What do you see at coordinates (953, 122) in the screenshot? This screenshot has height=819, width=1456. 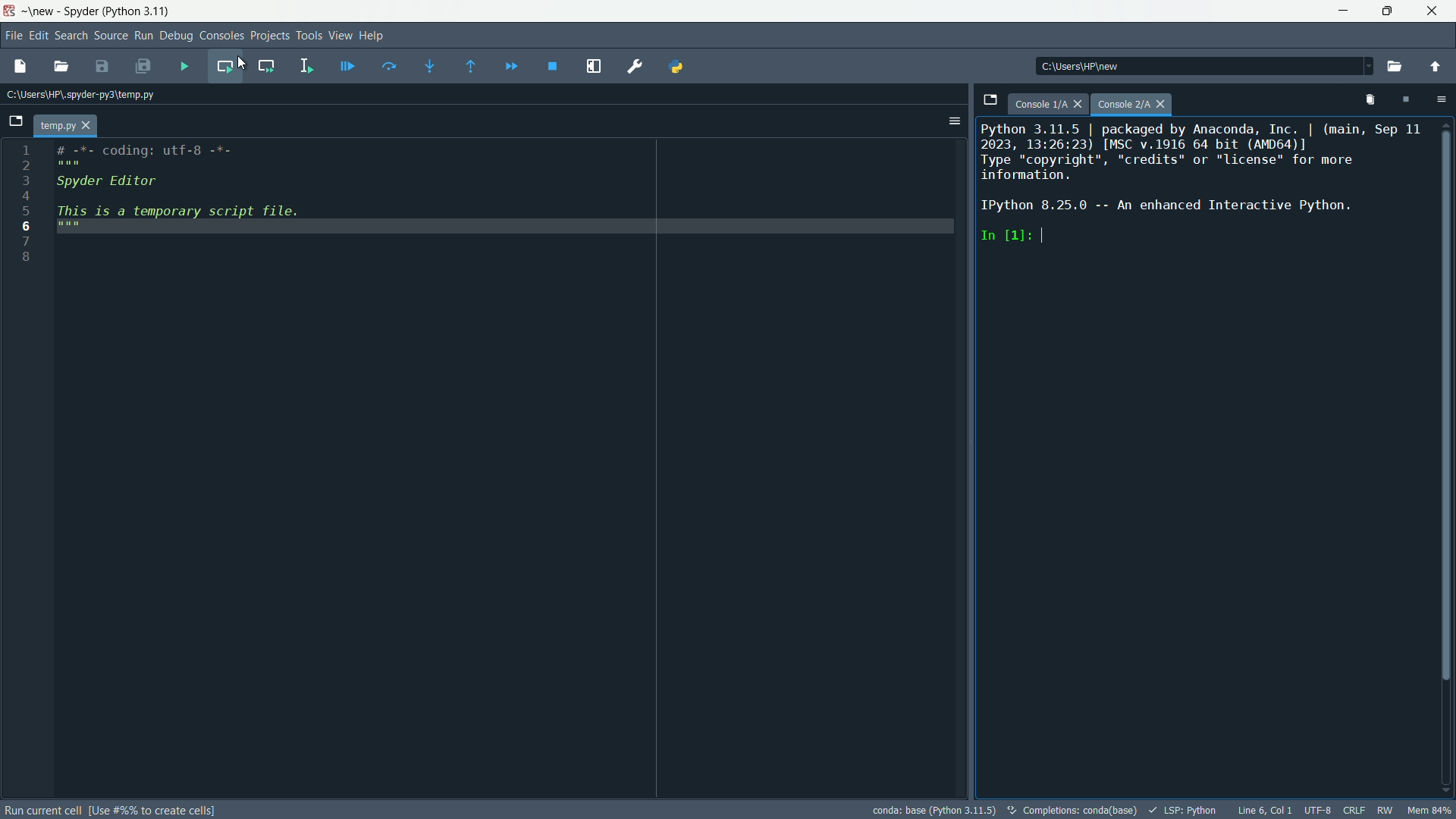 I see `options` at bounding box center [953, 122].